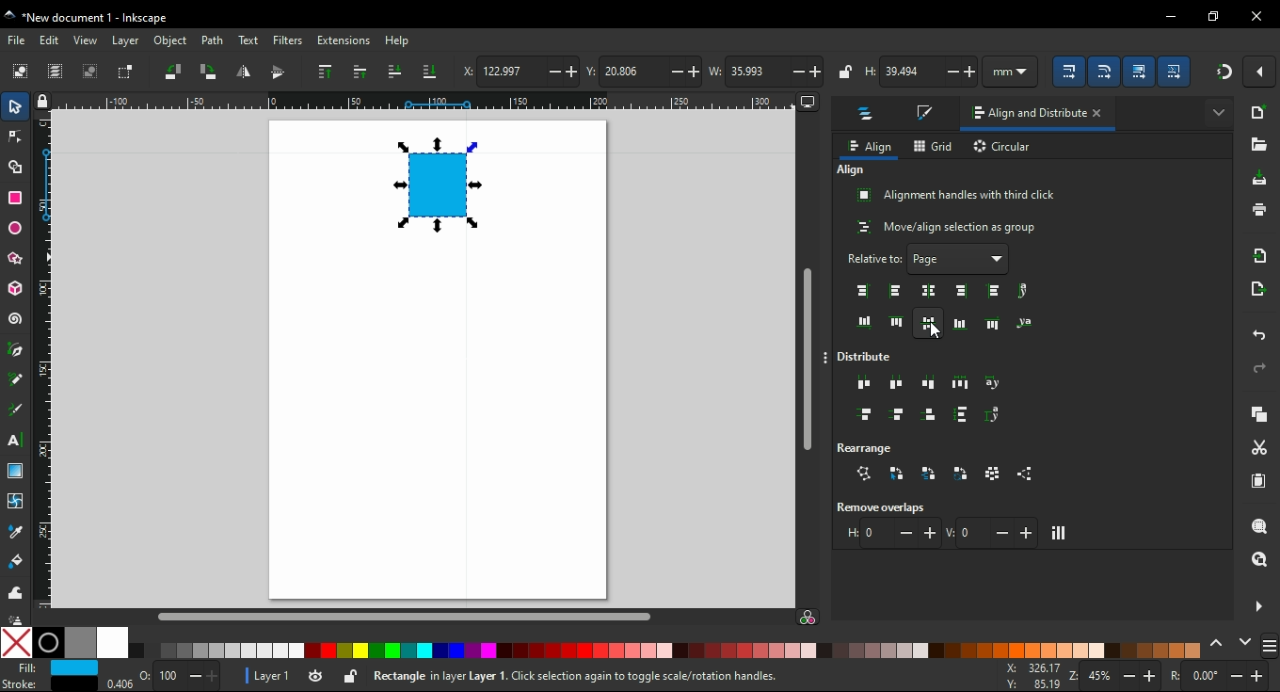 Image resolution: width=1280 pixels, height=692 pixels. I want to click on align right edge of objects to left edge of anchor, so click(864, 291).